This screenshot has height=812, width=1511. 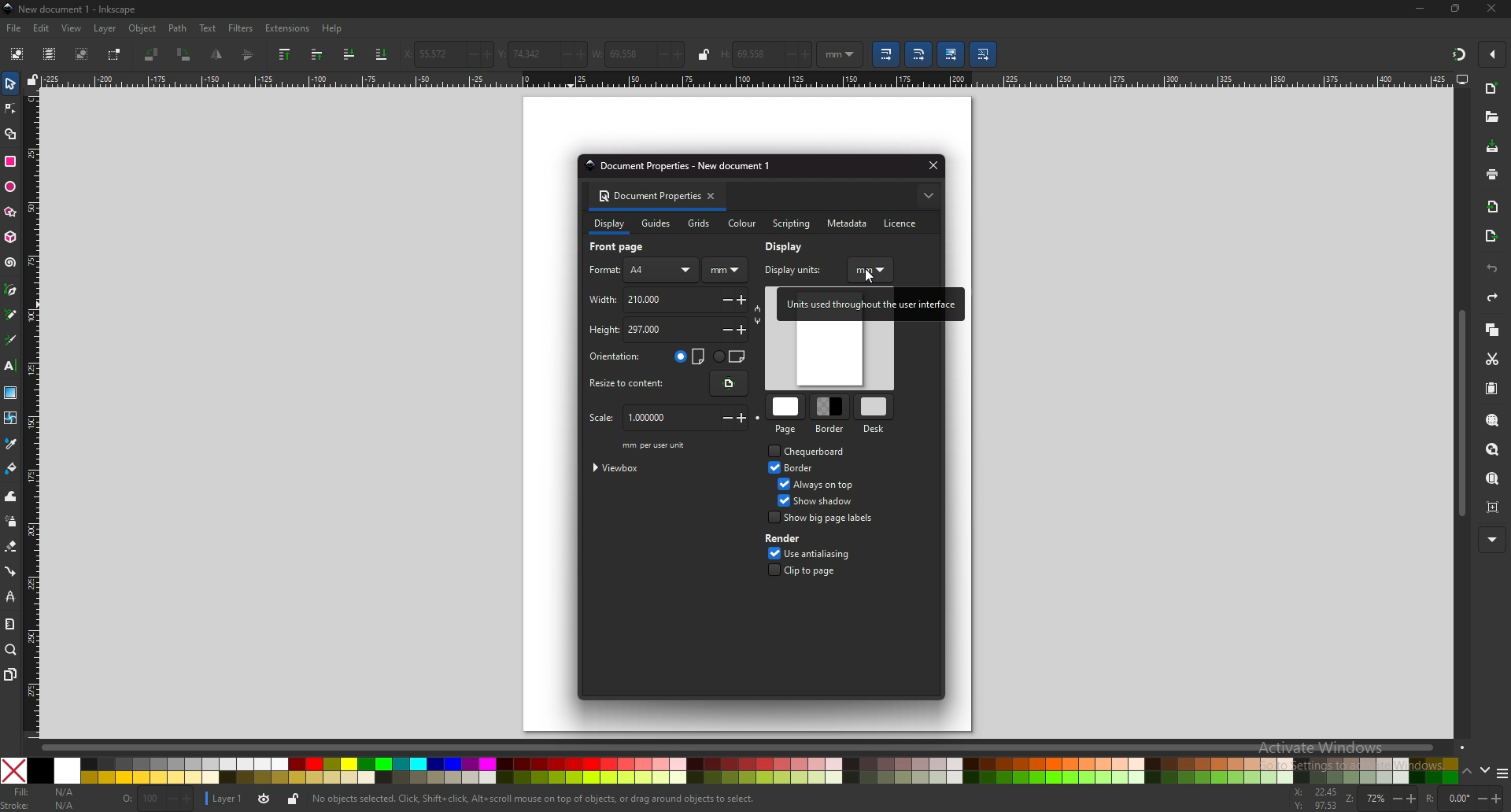 I want to click on always on top, so click(x=827, y=484).